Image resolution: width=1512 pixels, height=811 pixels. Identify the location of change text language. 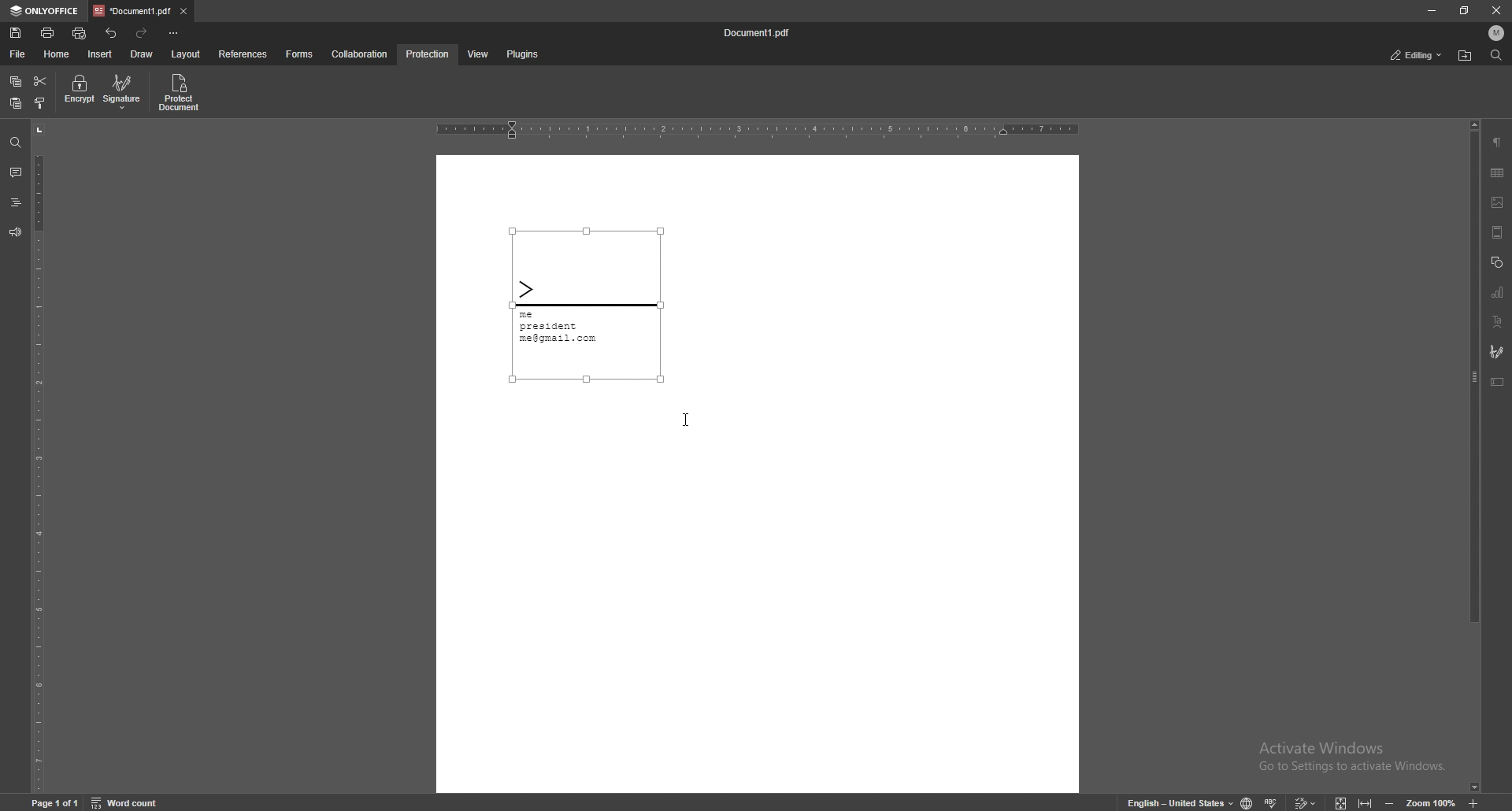
(1174, 802).